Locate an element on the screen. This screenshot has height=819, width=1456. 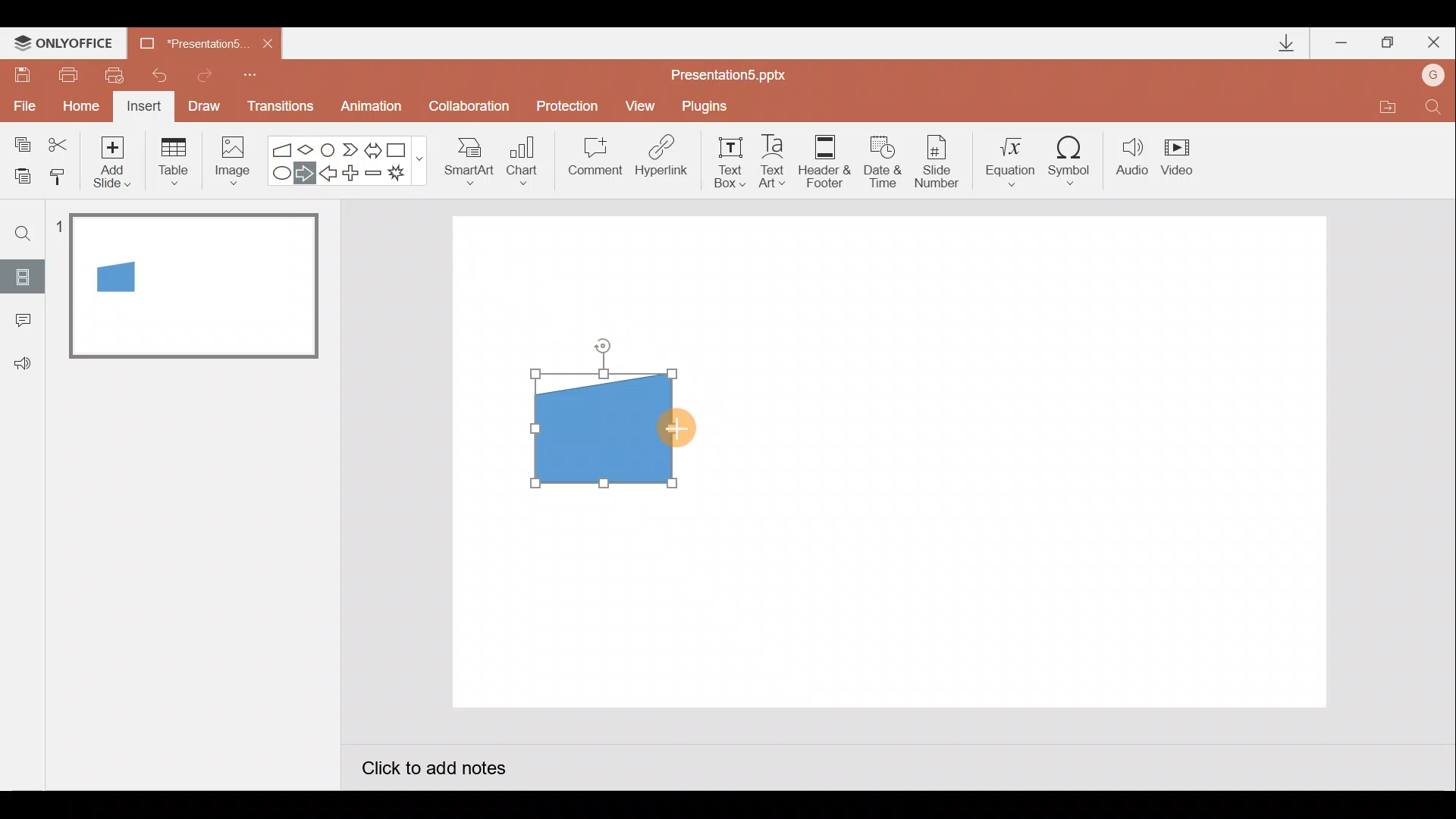
Copy is located at coordinates (20, 142).